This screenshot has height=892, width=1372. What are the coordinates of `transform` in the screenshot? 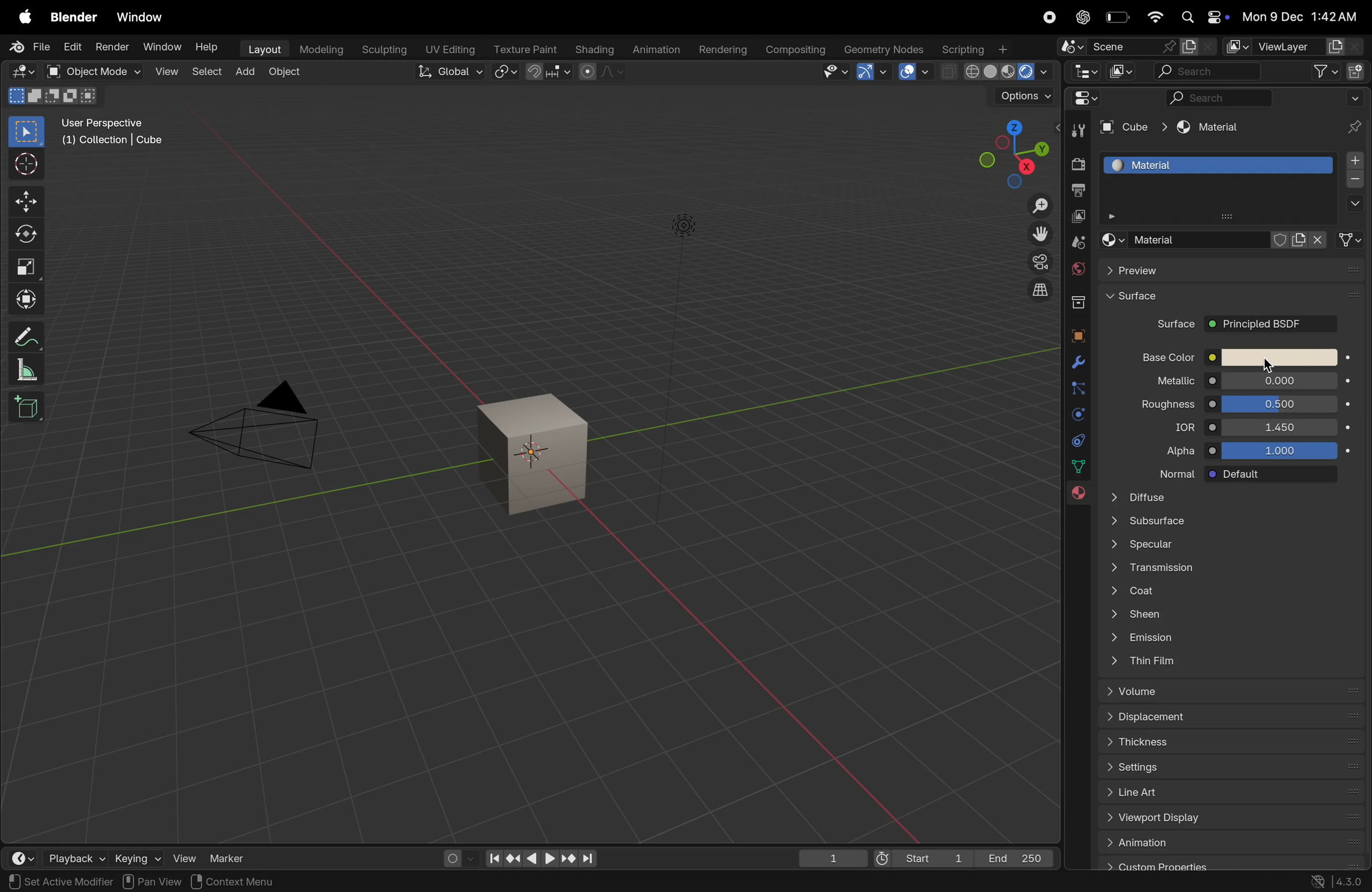 It's located at (25, 300).